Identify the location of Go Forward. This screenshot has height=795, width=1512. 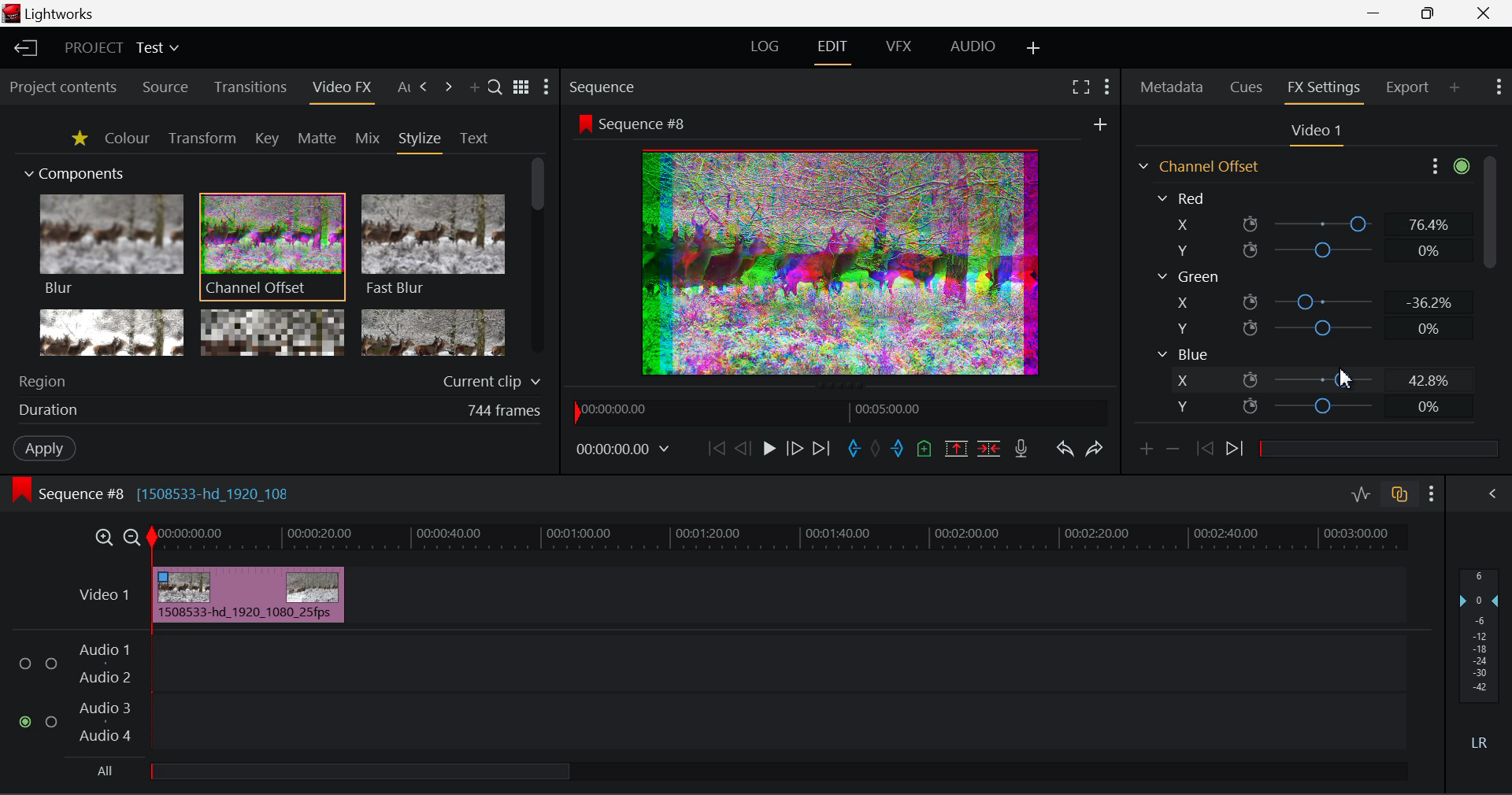
(795, 450).